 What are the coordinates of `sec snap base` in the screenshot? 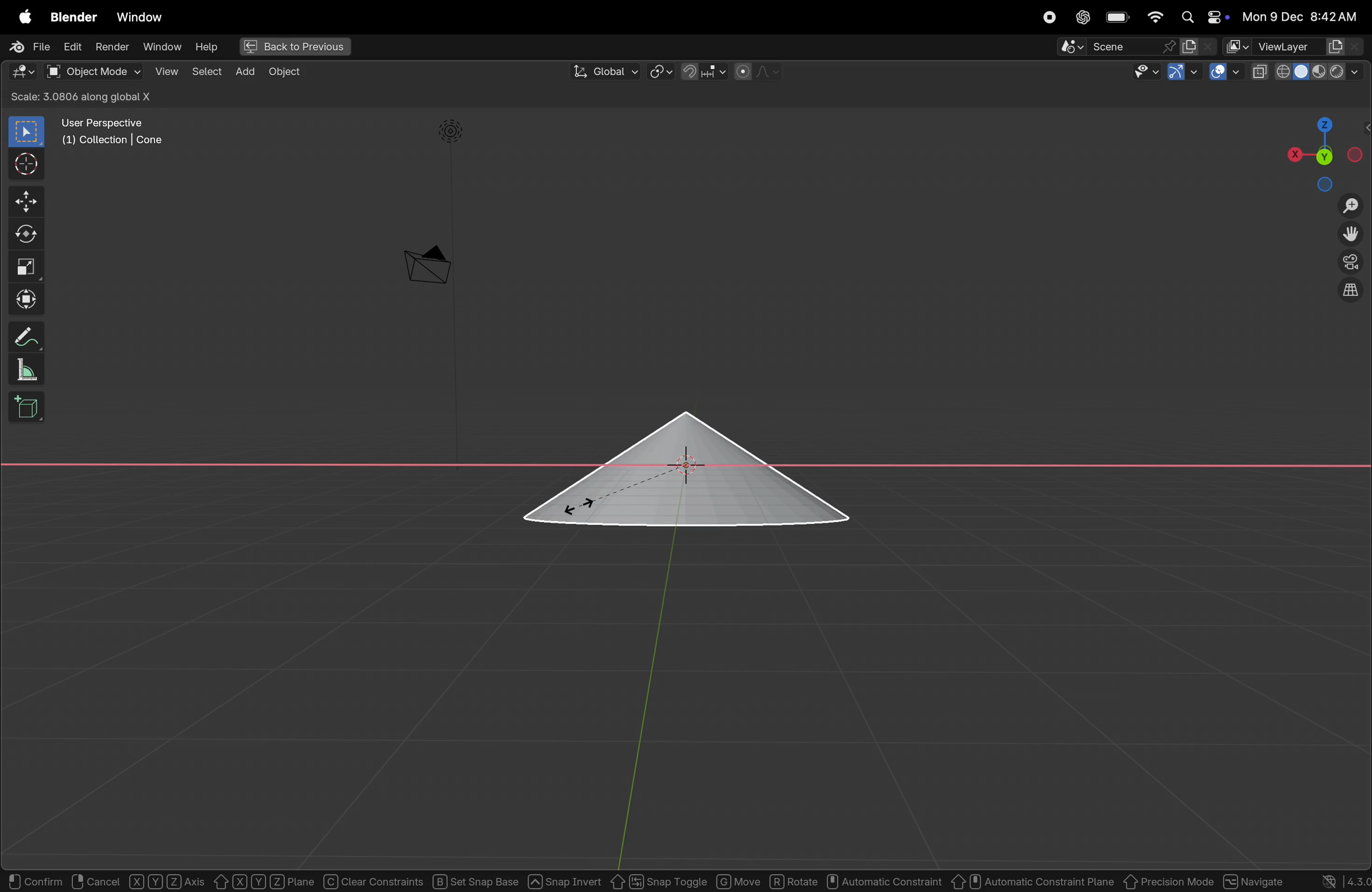 It's located at (473, 880).